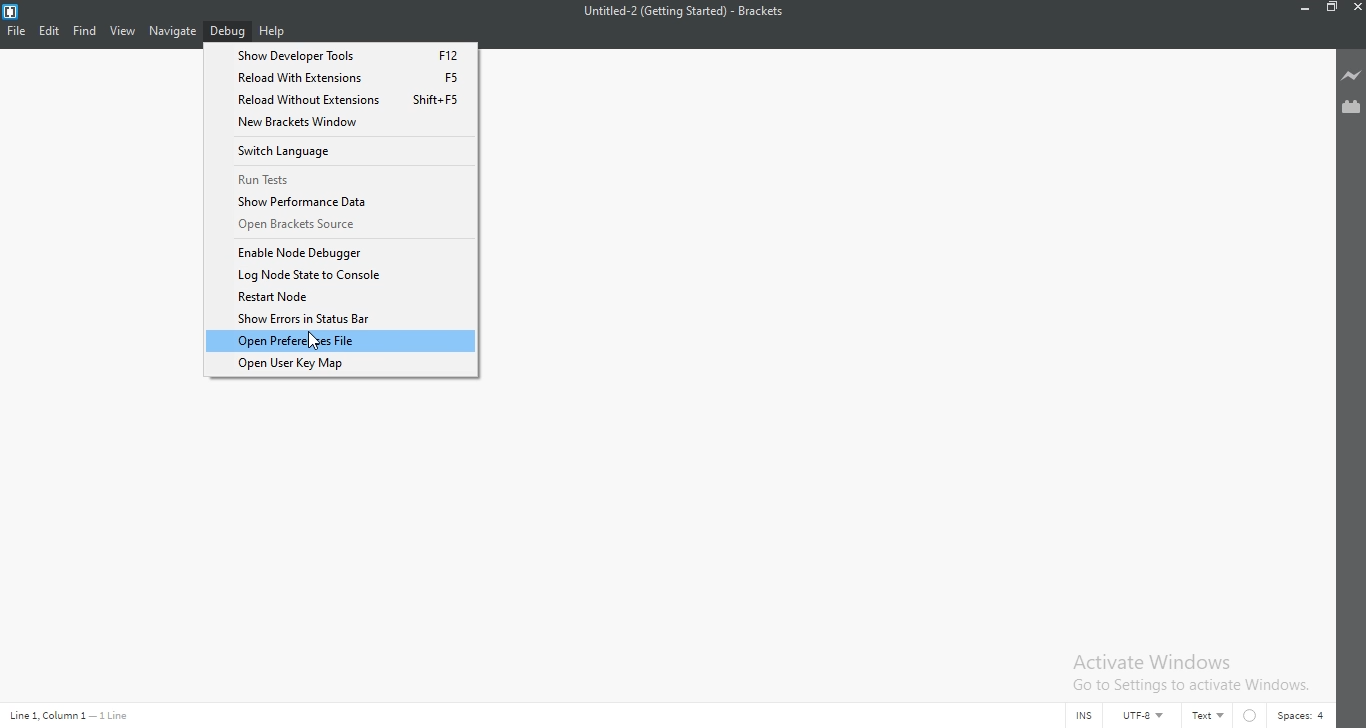  Describe the element at coordinates (1084, 716) in the screenshot. I see `INS` at that location.